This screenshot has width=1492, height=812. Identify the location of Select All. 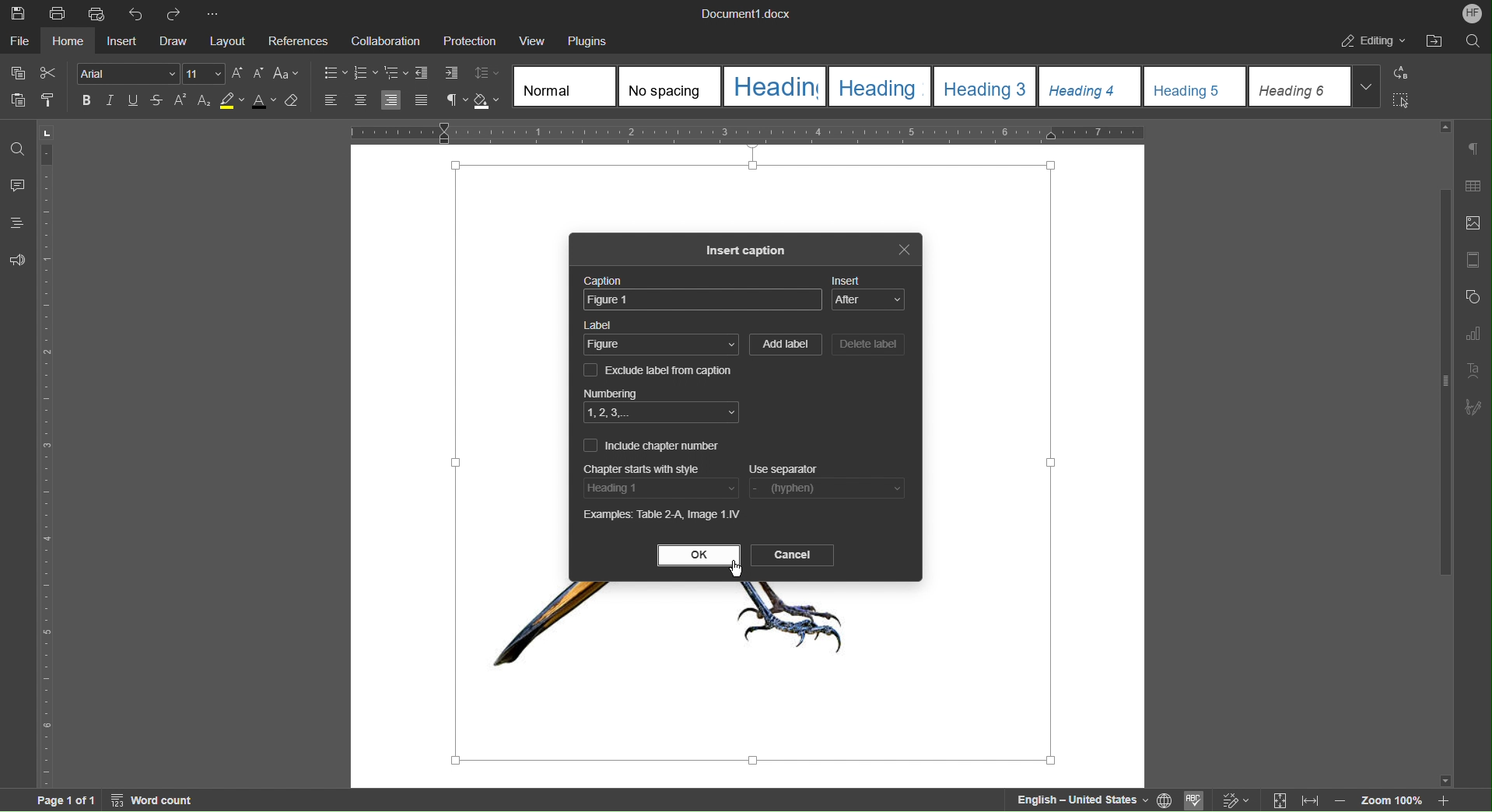
(1400, 101).